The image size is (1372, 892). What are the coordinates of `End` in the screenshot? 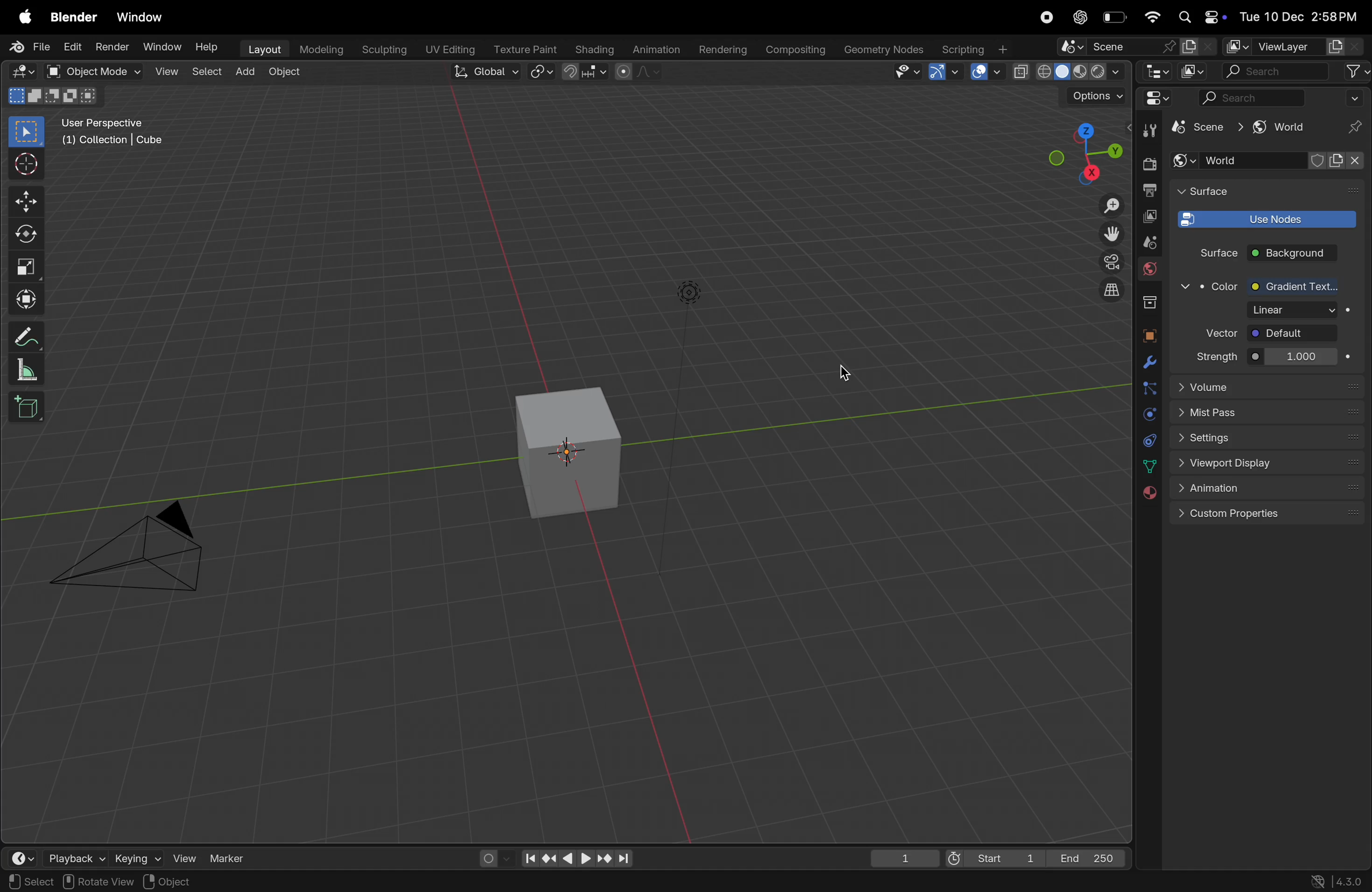 It's located at (1090, 856).